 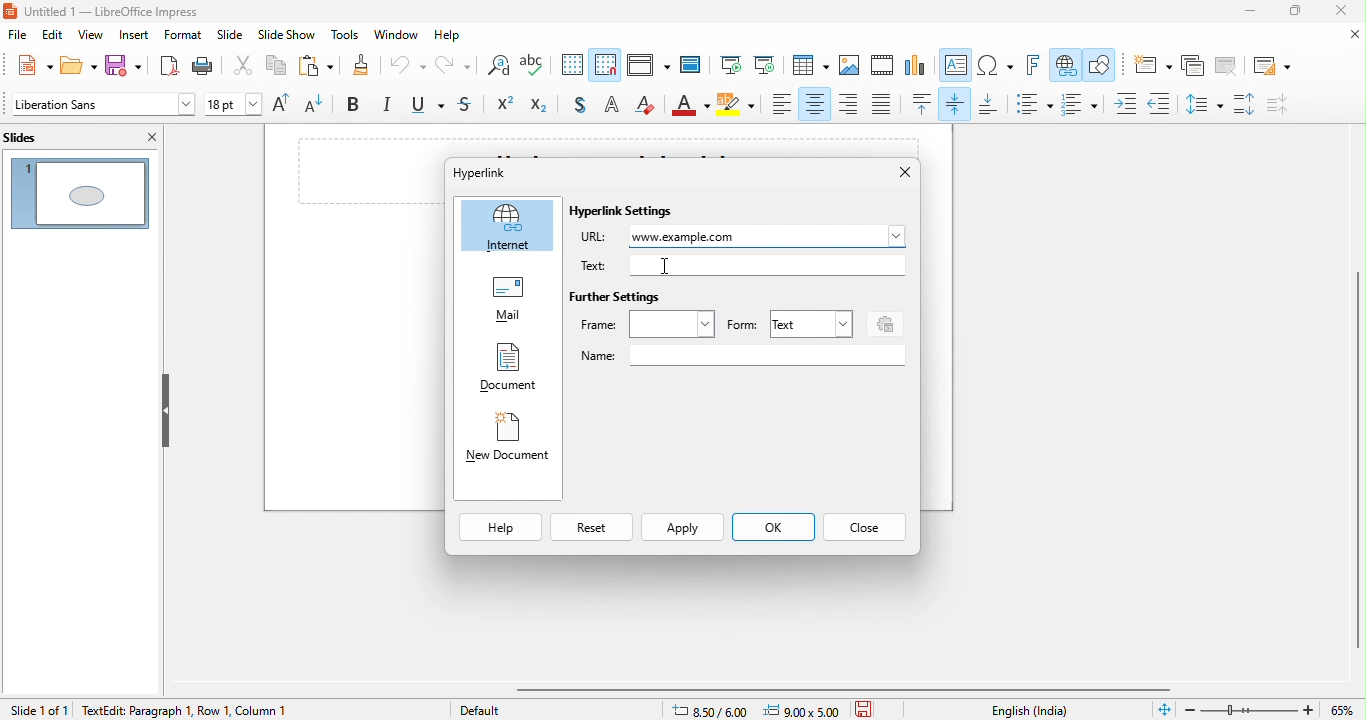 I want to click on 8.50/6.00, so click(x=717, y=709).